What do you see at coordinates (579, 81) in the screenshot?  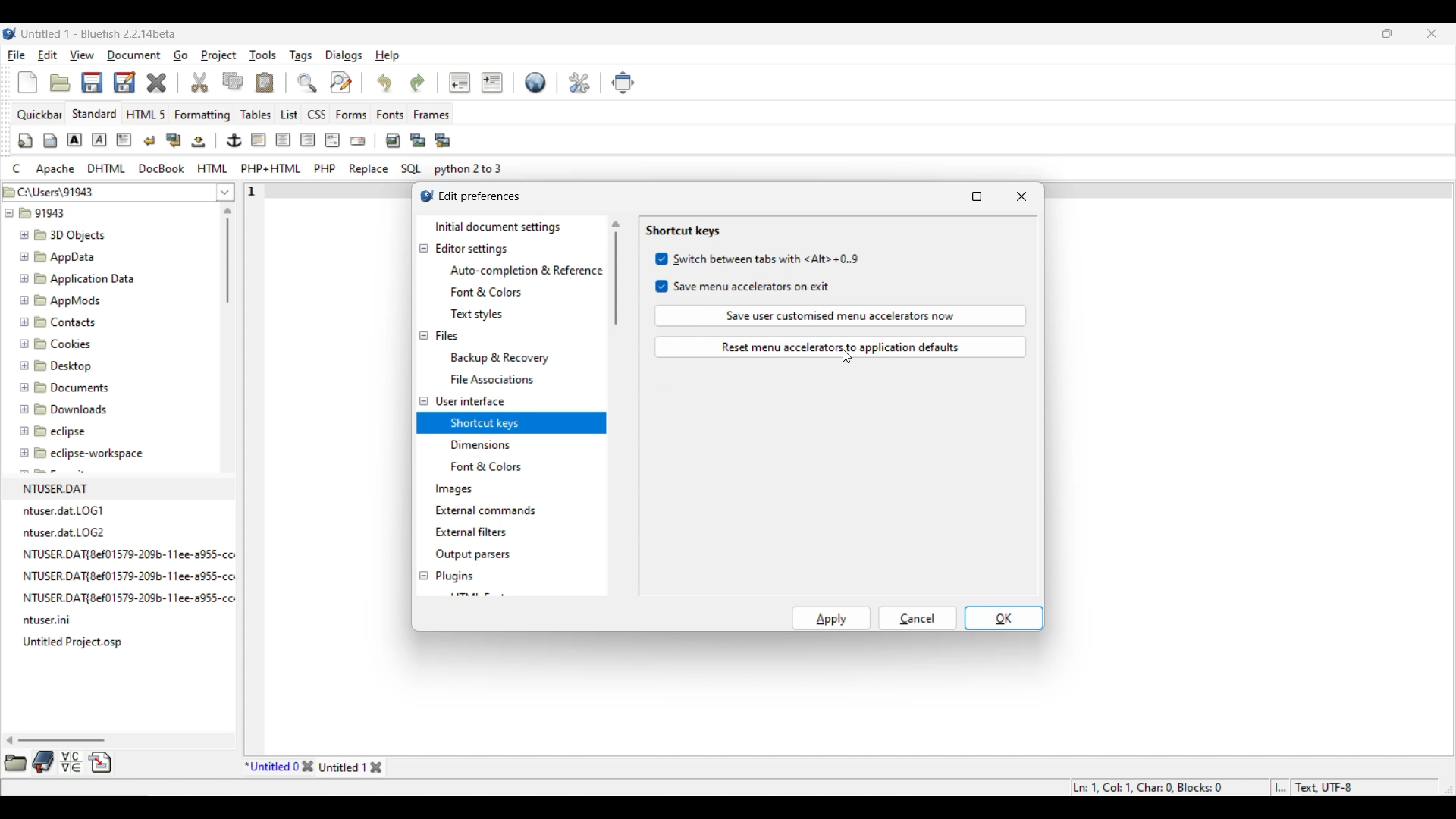 I see `Edit preferences, highlighted by cursor` at bounding box center [579, 81].